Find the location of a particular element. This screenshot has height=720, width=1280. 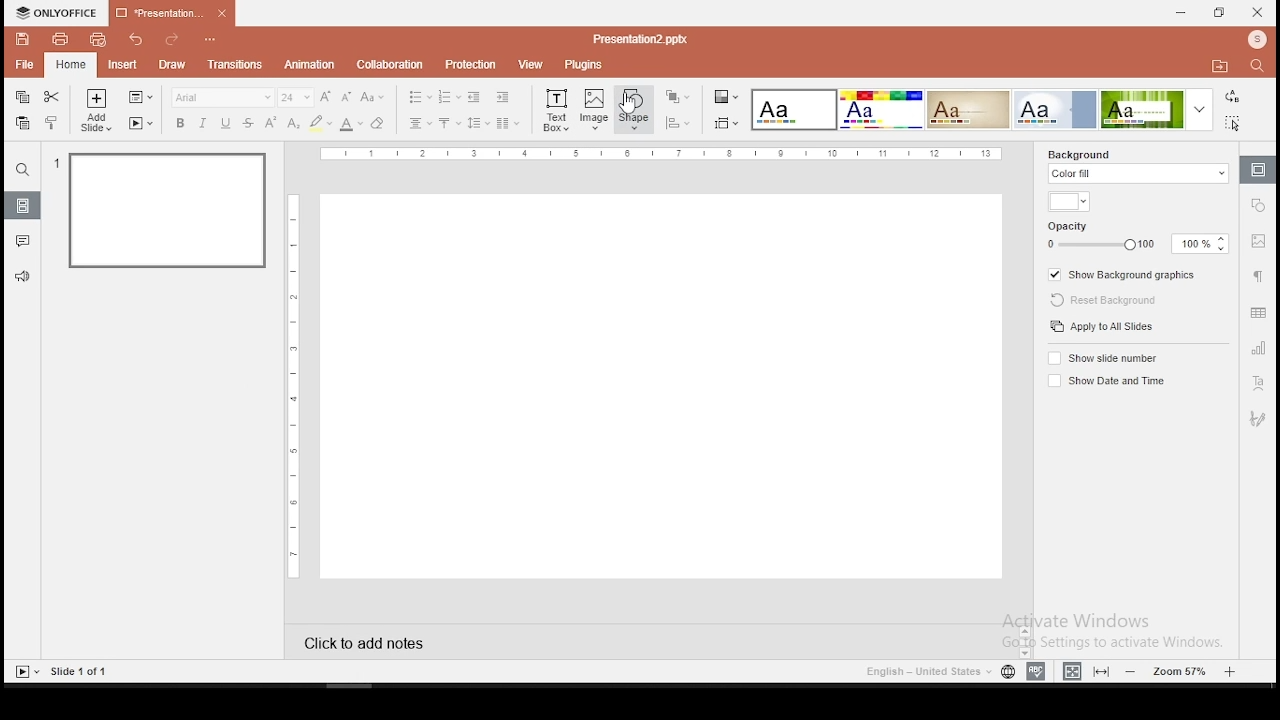

eraser tool is located at coordinates (377, 124).